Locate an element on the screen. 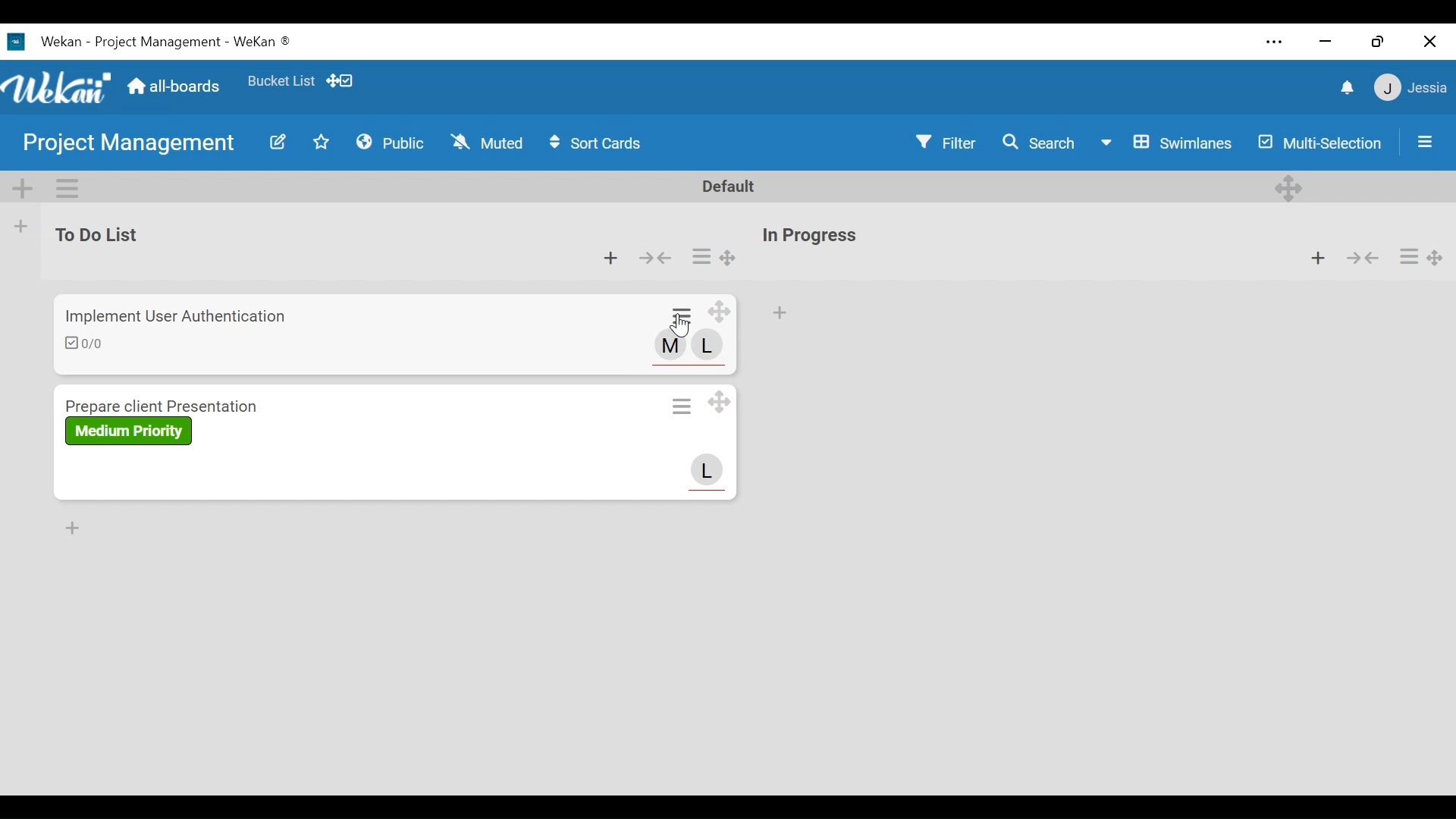  Sort Cards is located at coordinates (601, 143).